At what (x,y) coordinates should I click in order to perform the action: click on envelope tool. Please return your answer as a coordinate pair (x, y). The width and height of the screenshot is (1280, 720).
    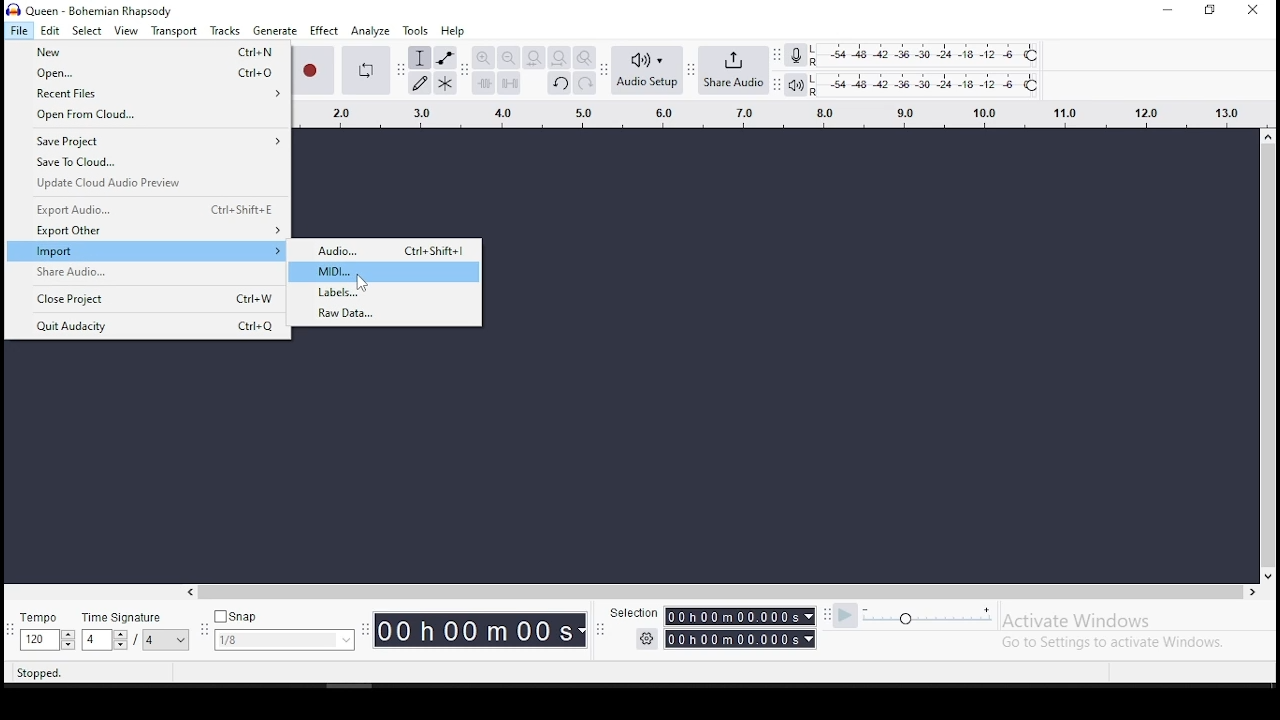
    Looking at the image, I should click on (445, 58).